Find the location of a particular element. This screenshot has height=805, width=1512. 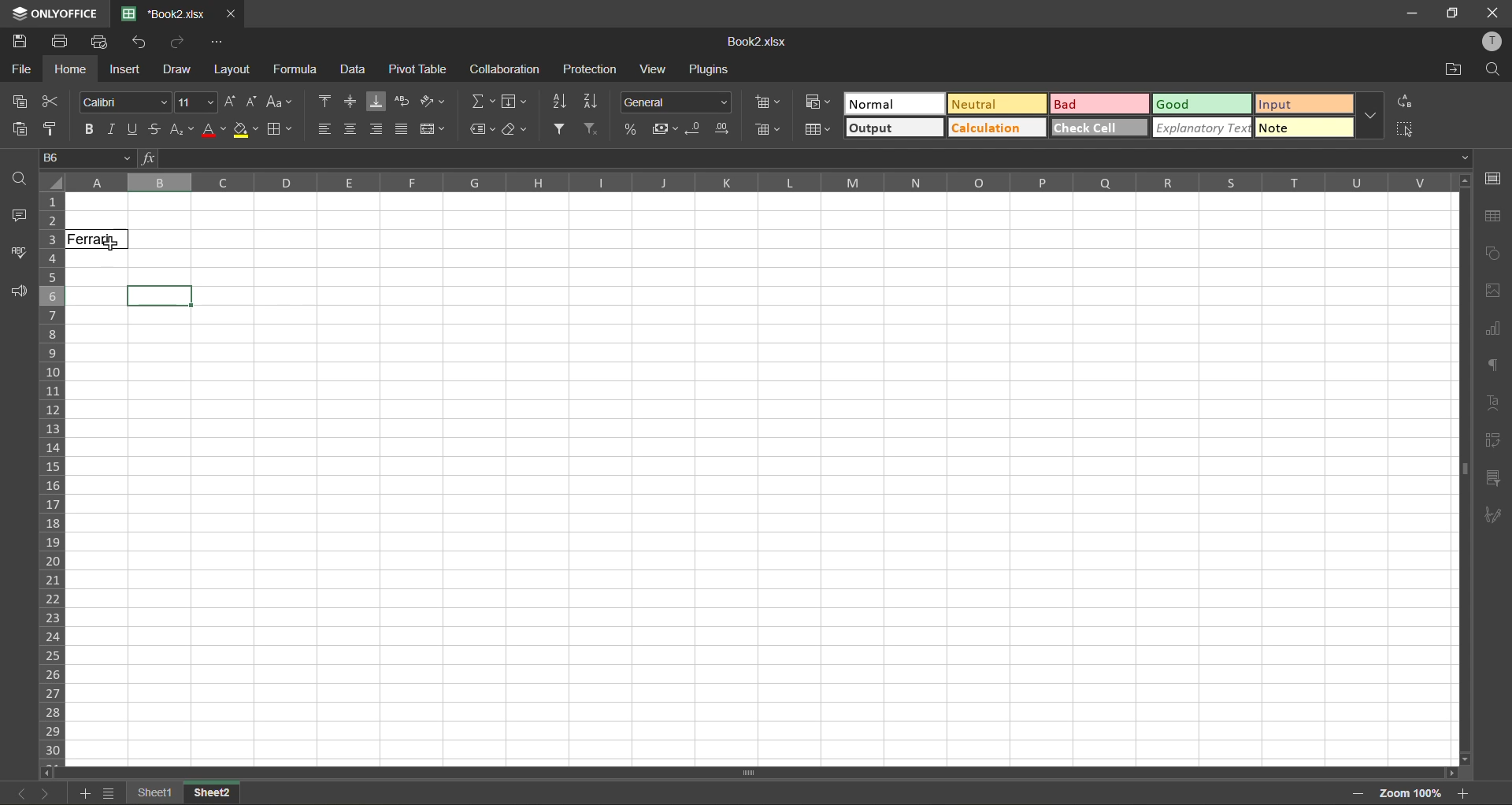

font size is located at coordinates (198, 102).